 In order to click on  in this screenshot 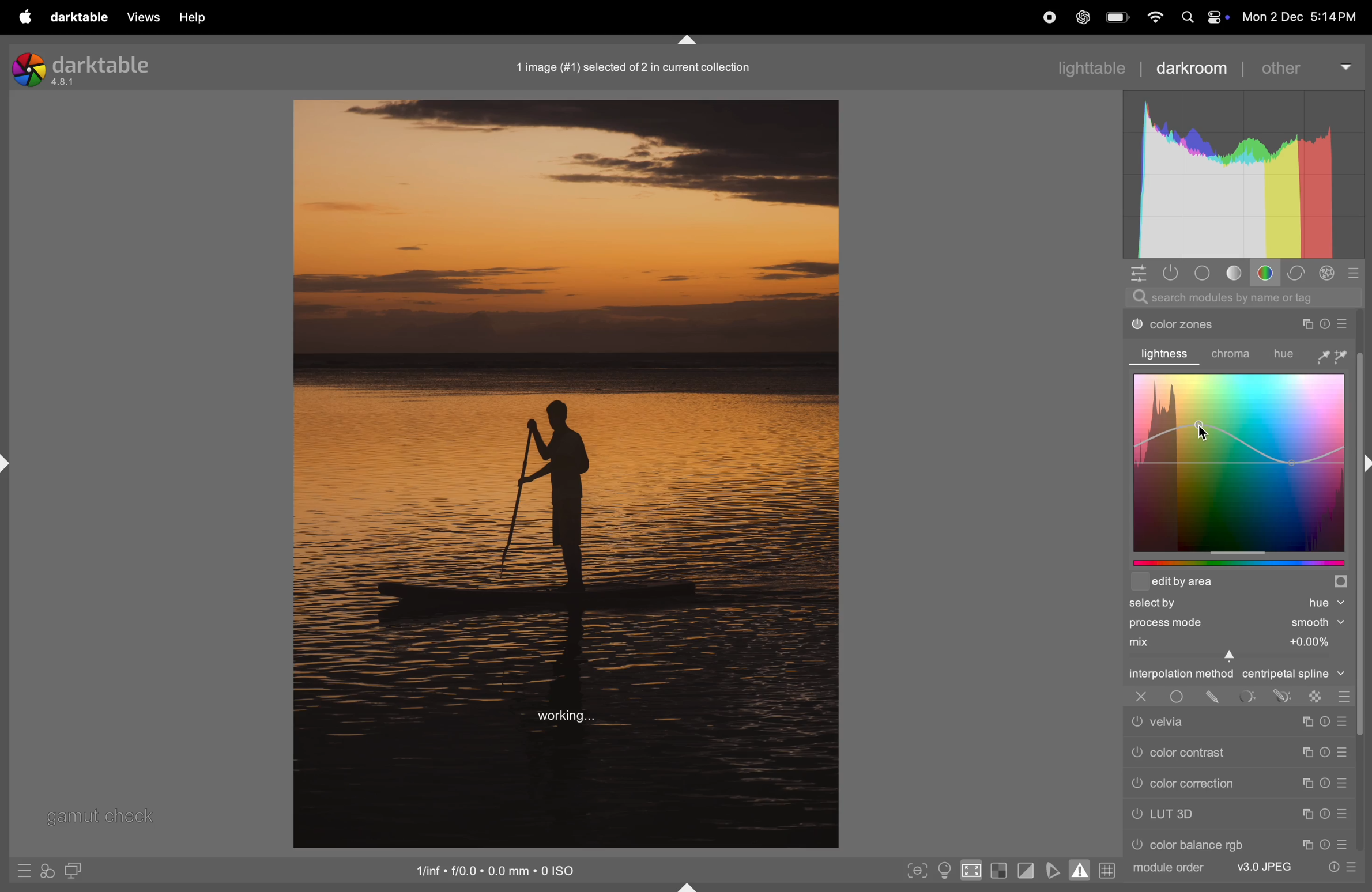, I will do `click(1234, 272)`.